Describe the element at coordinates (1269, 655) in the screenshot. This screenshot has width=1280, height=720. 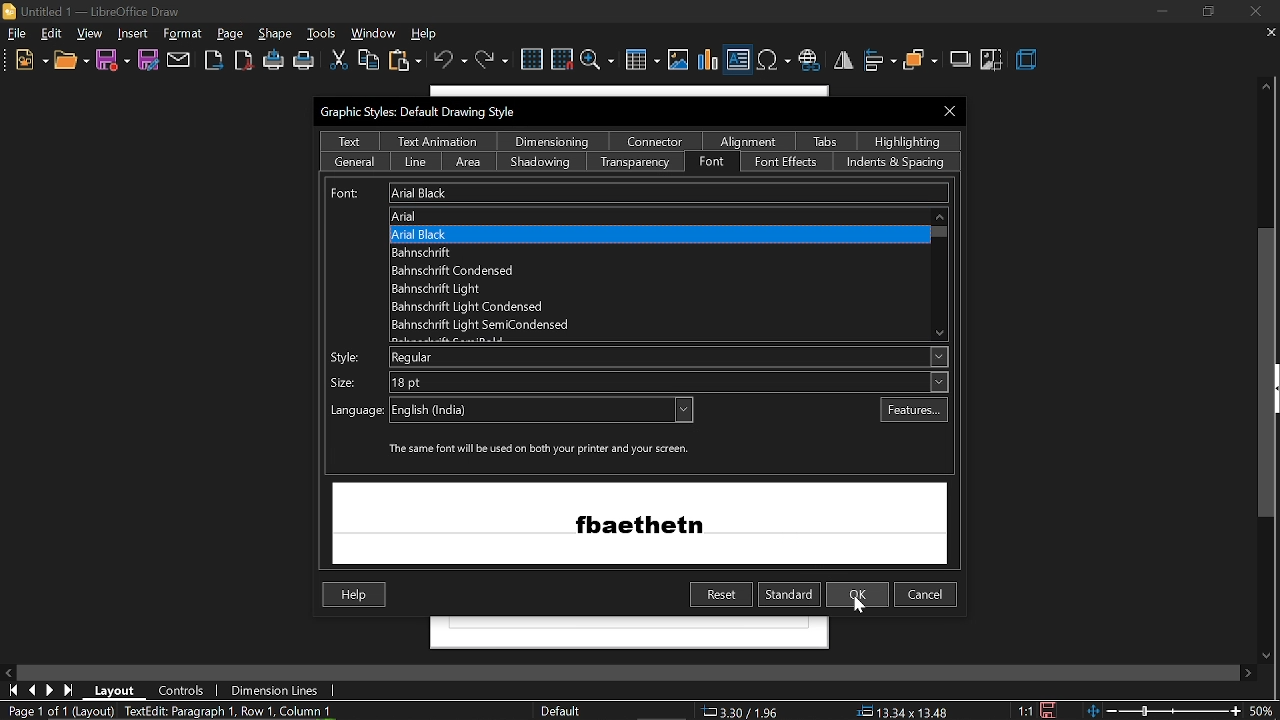
I see `Move down` at that location.